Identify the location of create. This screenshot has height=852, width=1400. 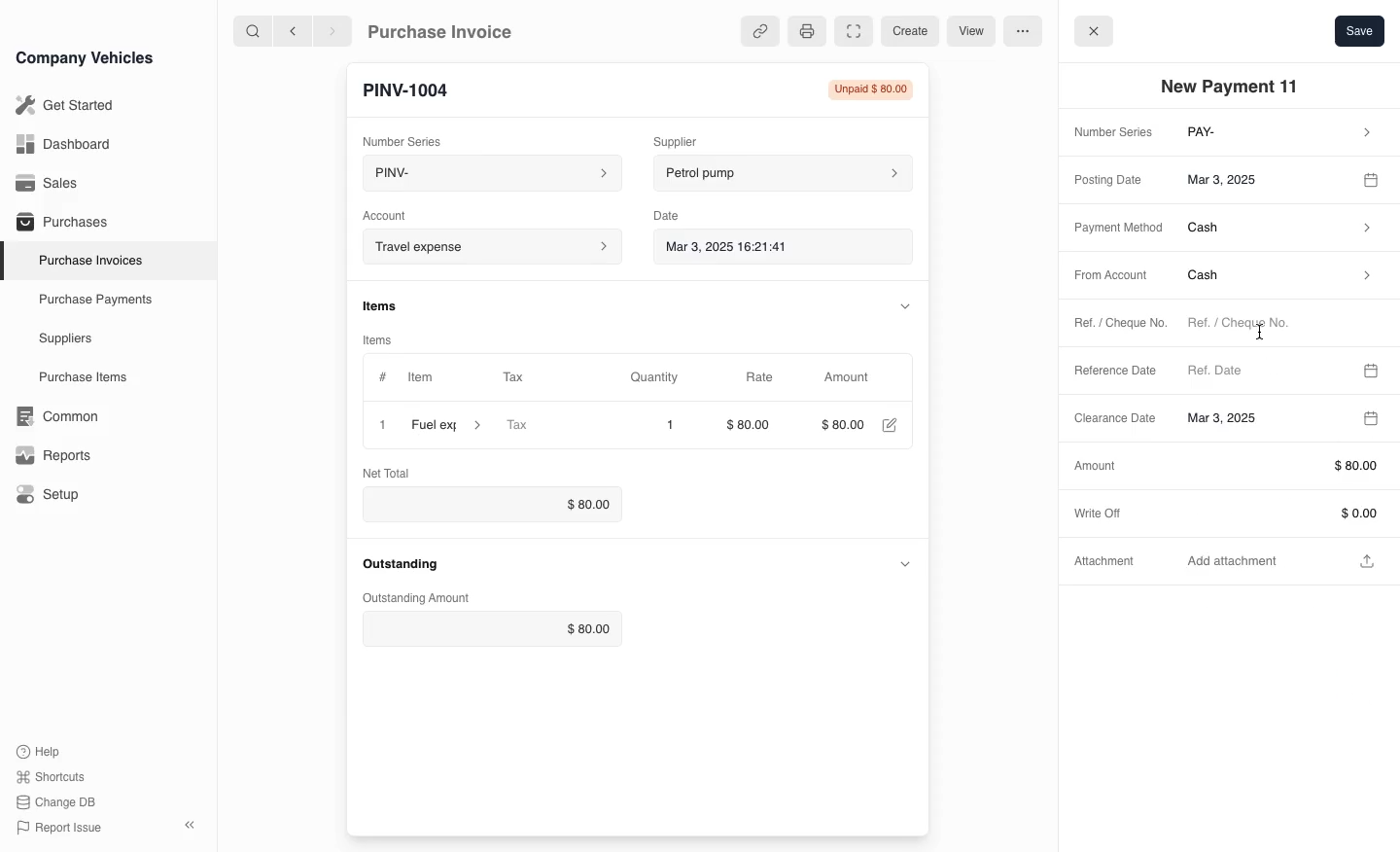
(907, 31).